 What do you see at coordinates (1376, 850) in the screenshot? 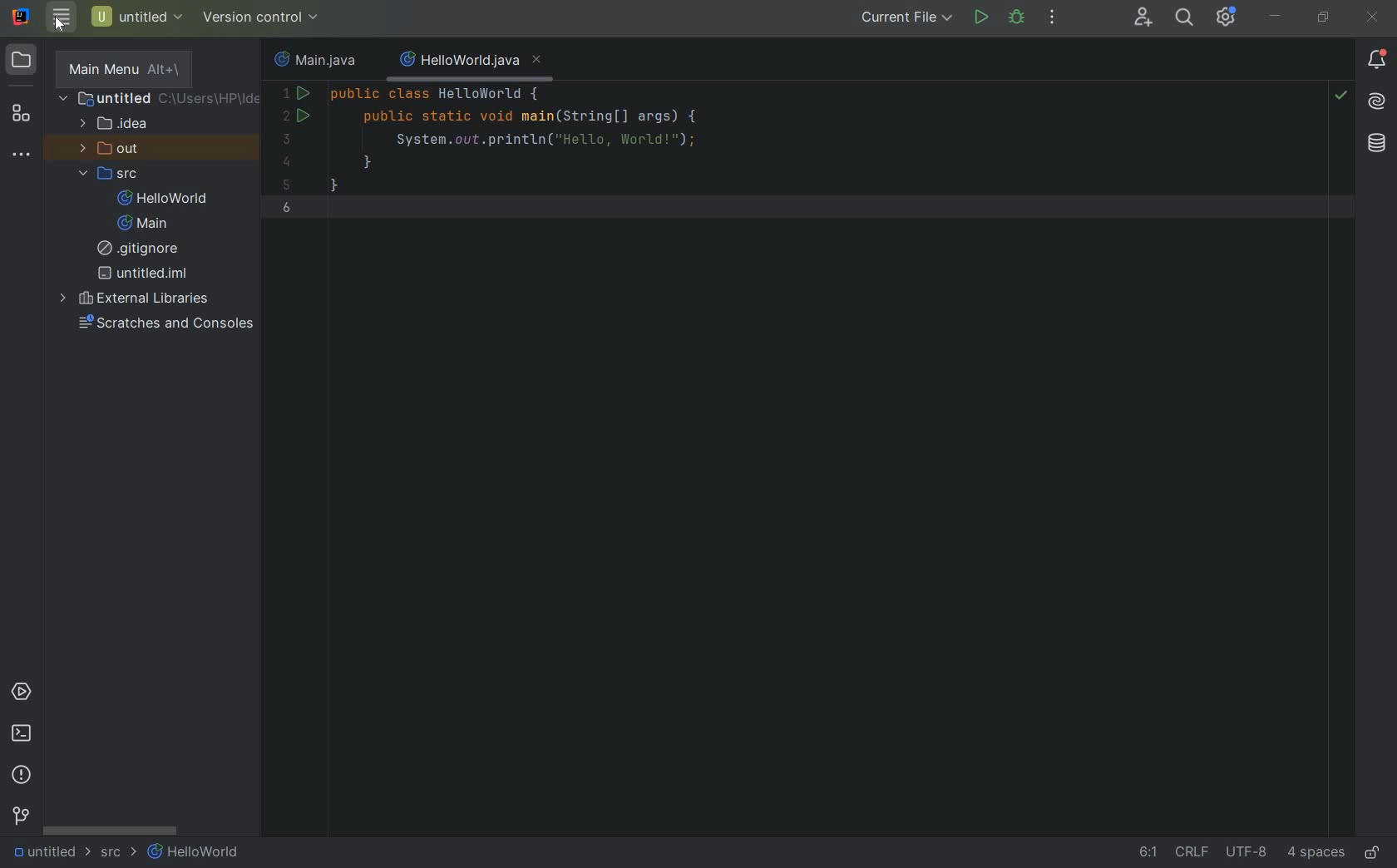
I see `edit or read only mode` at bounding box center [1376, 850].